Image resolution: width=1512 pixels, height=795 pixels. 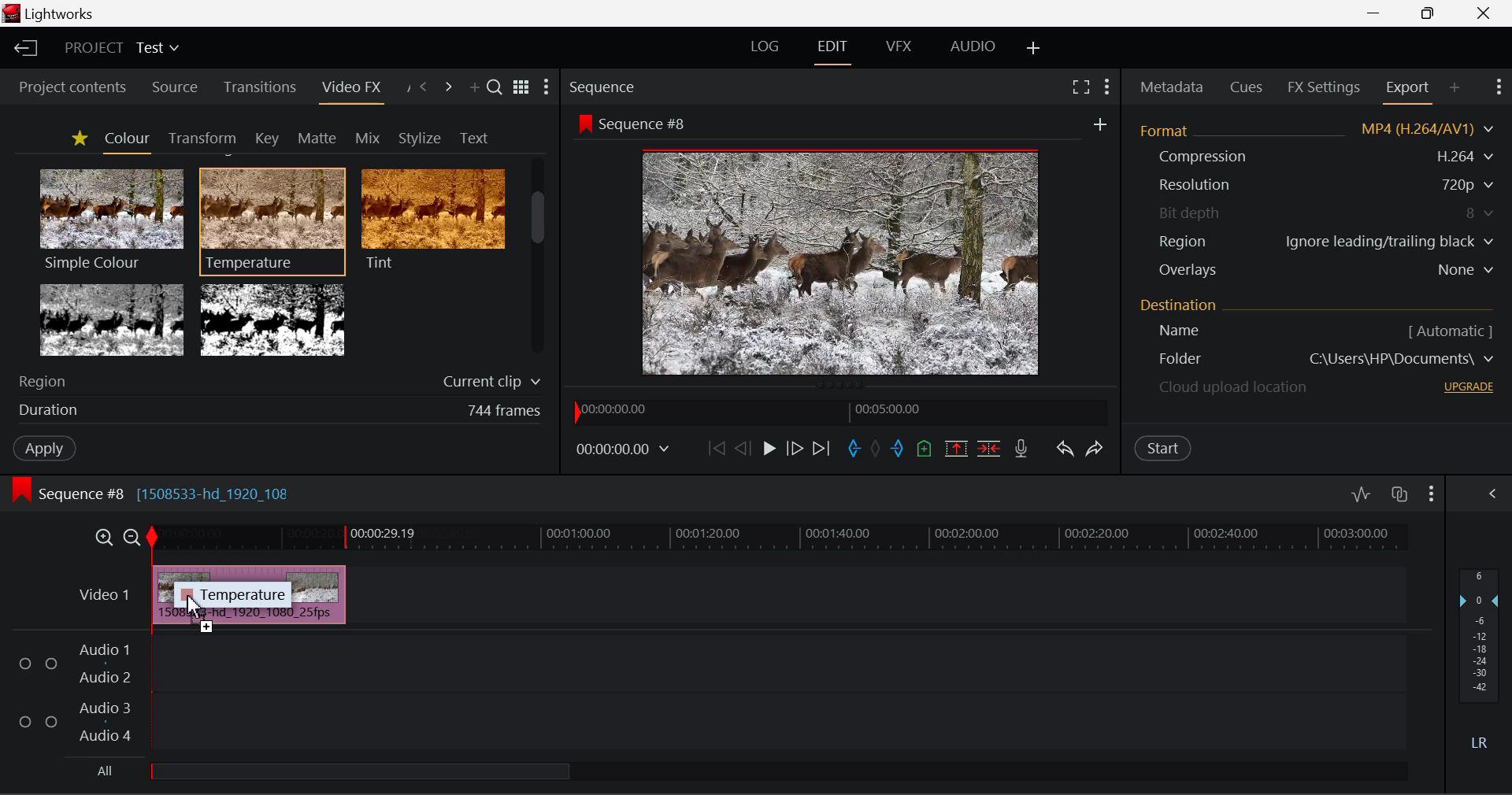 I want to click on LOG Layout, so click(x=767, y=46).